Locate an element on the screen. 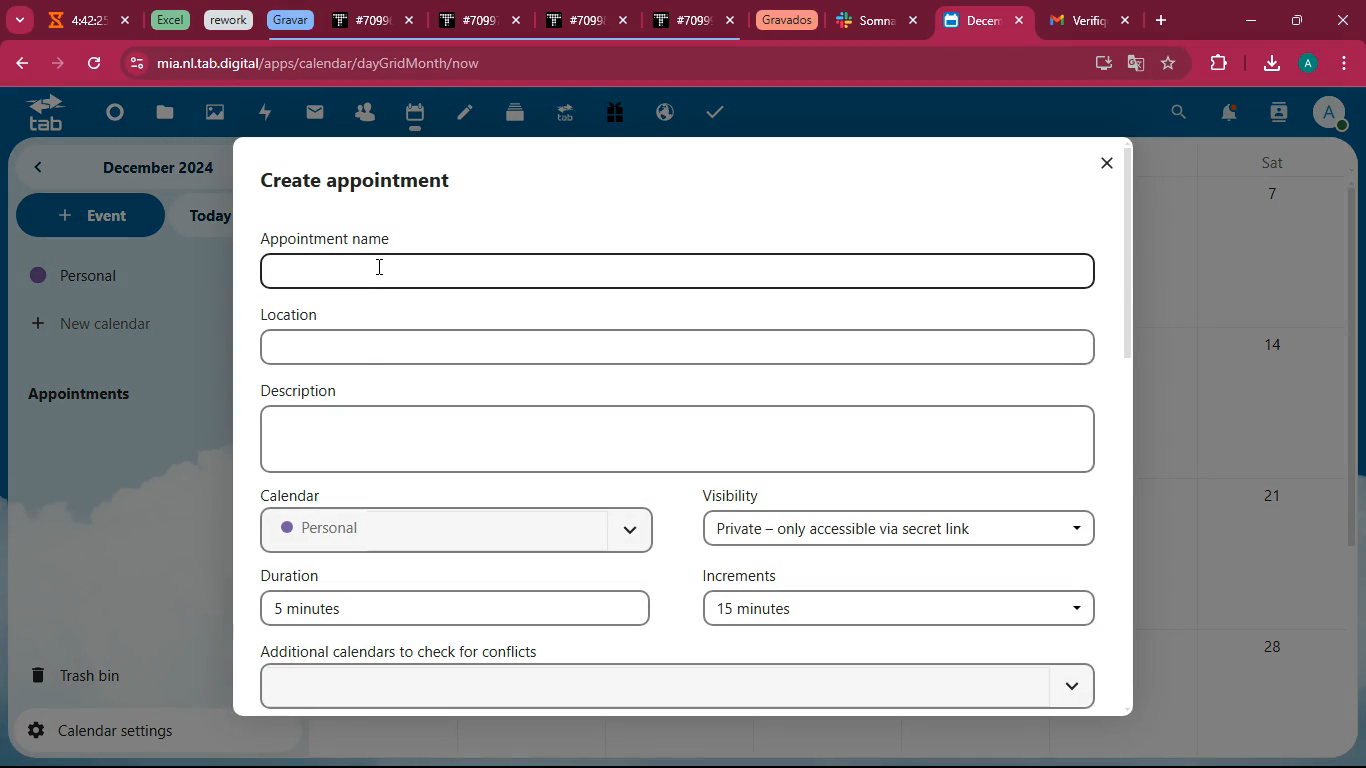  files is located at coordinates (517, 112).